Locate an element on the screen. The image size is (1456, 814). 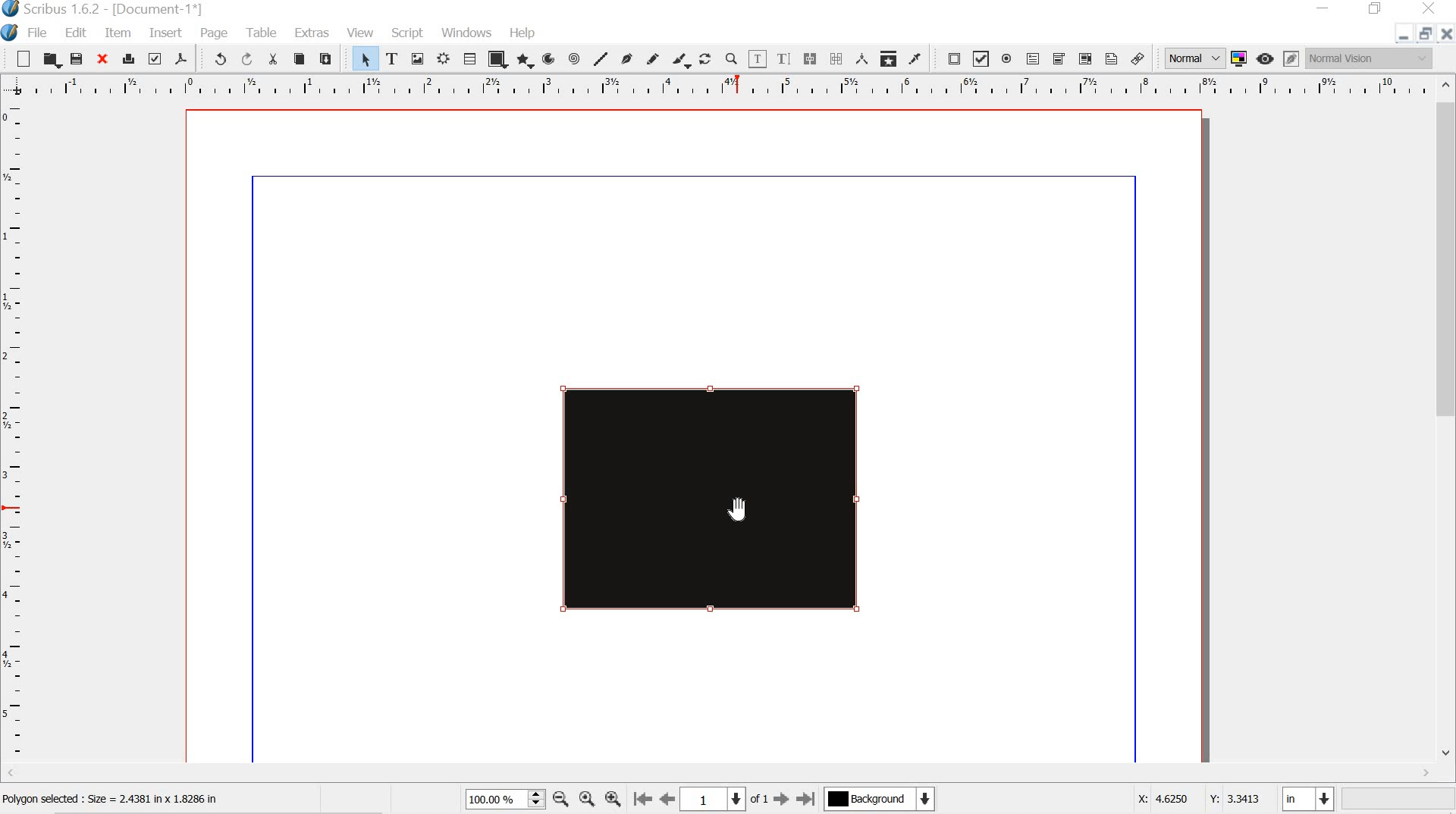
edit is located at coordinates (70, 32).